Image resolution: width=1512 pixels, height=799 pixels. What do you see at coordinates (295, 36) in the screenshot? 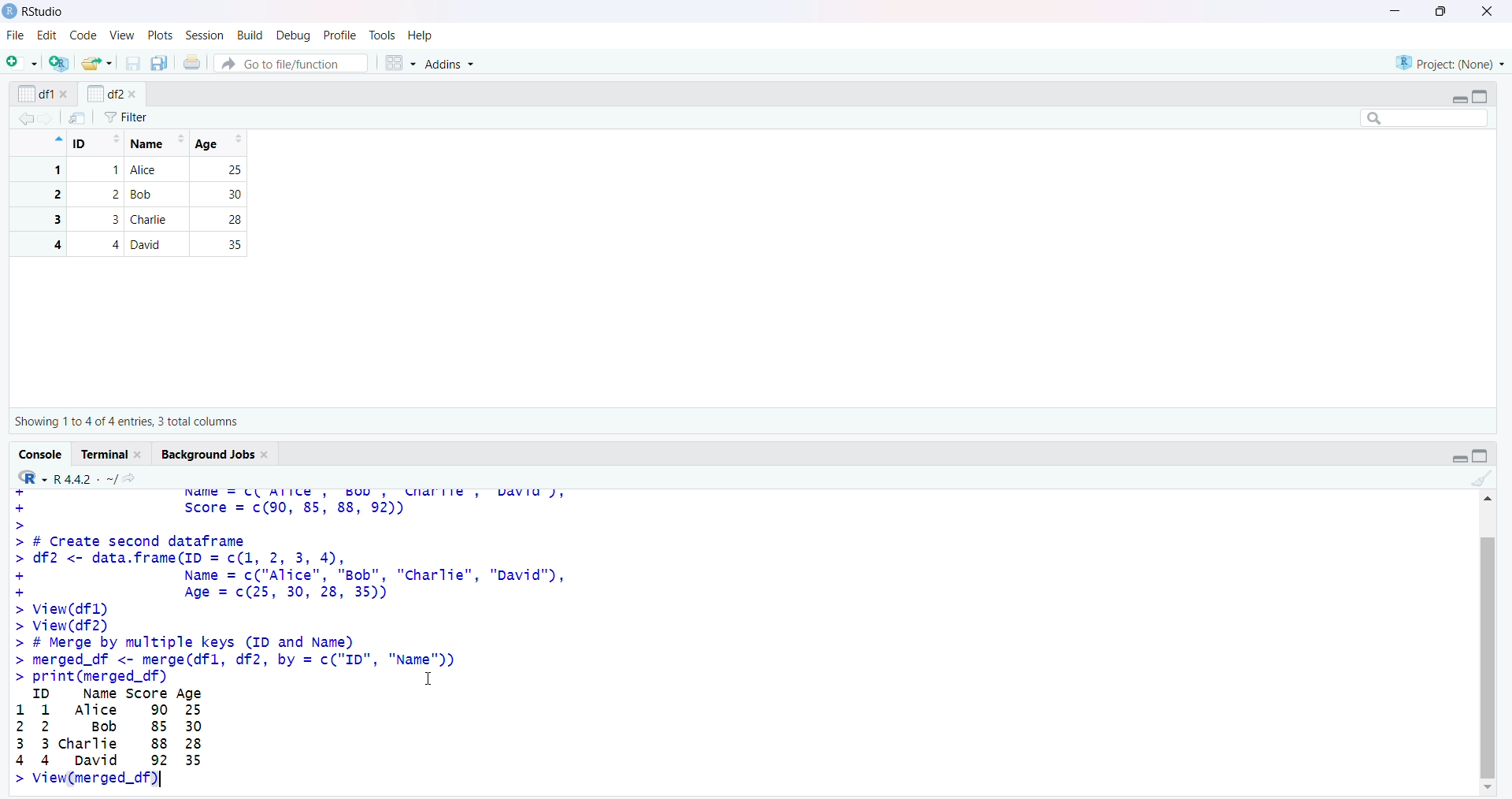
I see `debug` at bounding box center [295, 36].